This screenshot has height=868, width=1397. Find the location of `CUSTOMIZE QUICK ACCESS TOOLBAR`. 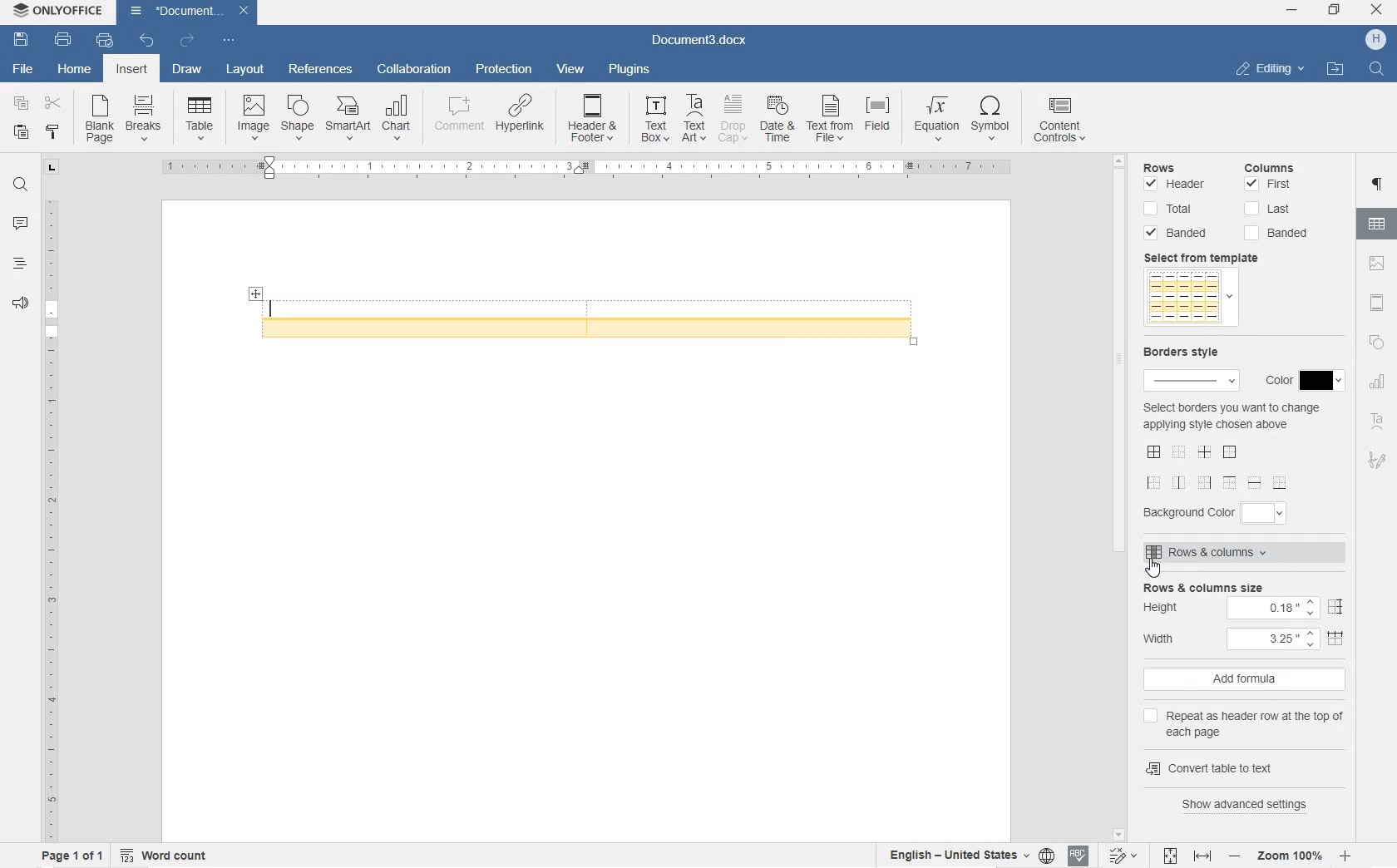

CUSTOMIZE QUICK ACCESS TOOLBAR is located at coordinates (227, 40).